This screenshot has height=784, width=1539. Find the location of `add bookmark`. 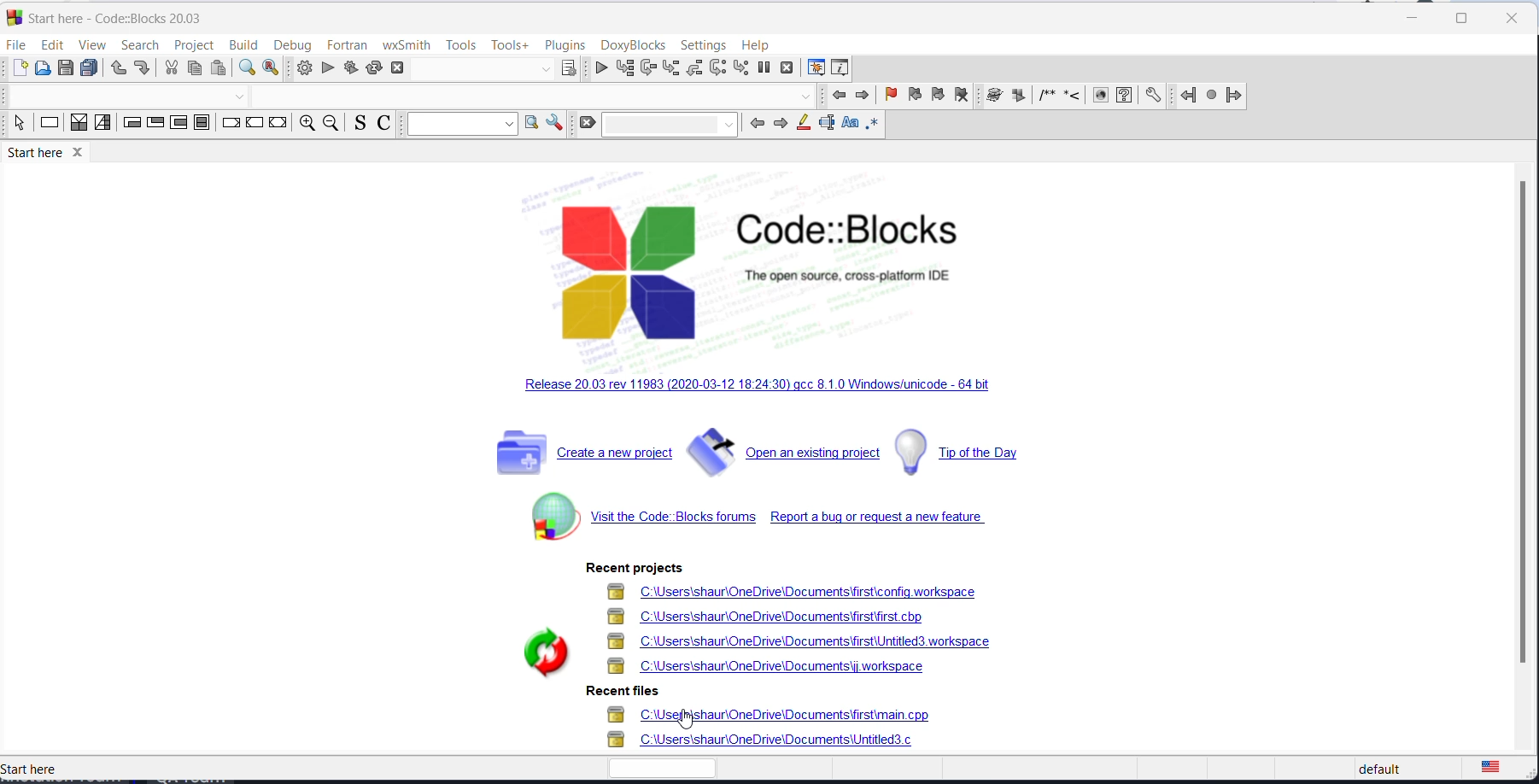

add bookmark is located at coordinates (889, 96).